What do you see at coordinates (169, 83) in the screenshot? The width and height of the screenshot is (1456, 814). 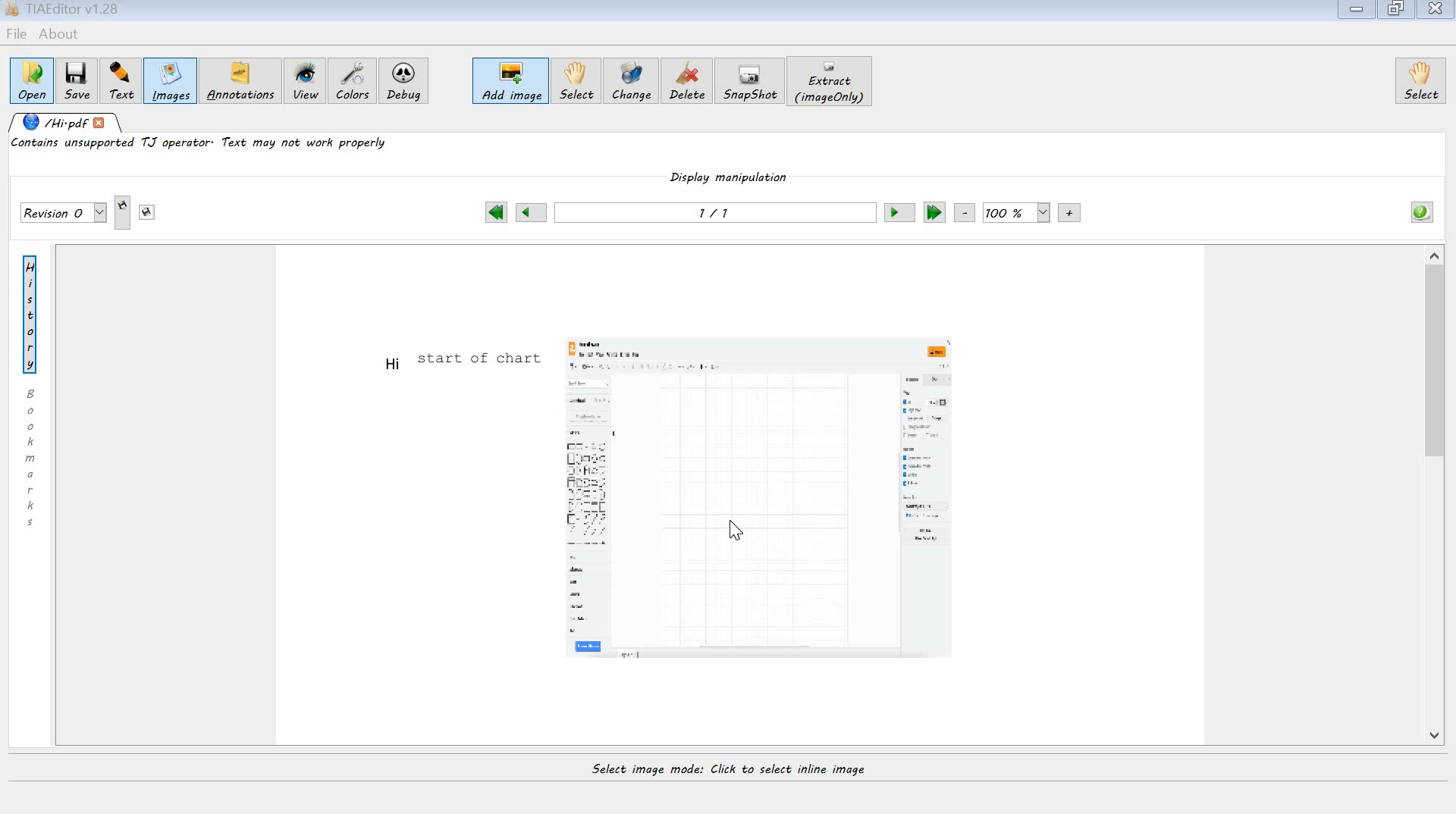 I see `images` at bounding box center [169, 83].